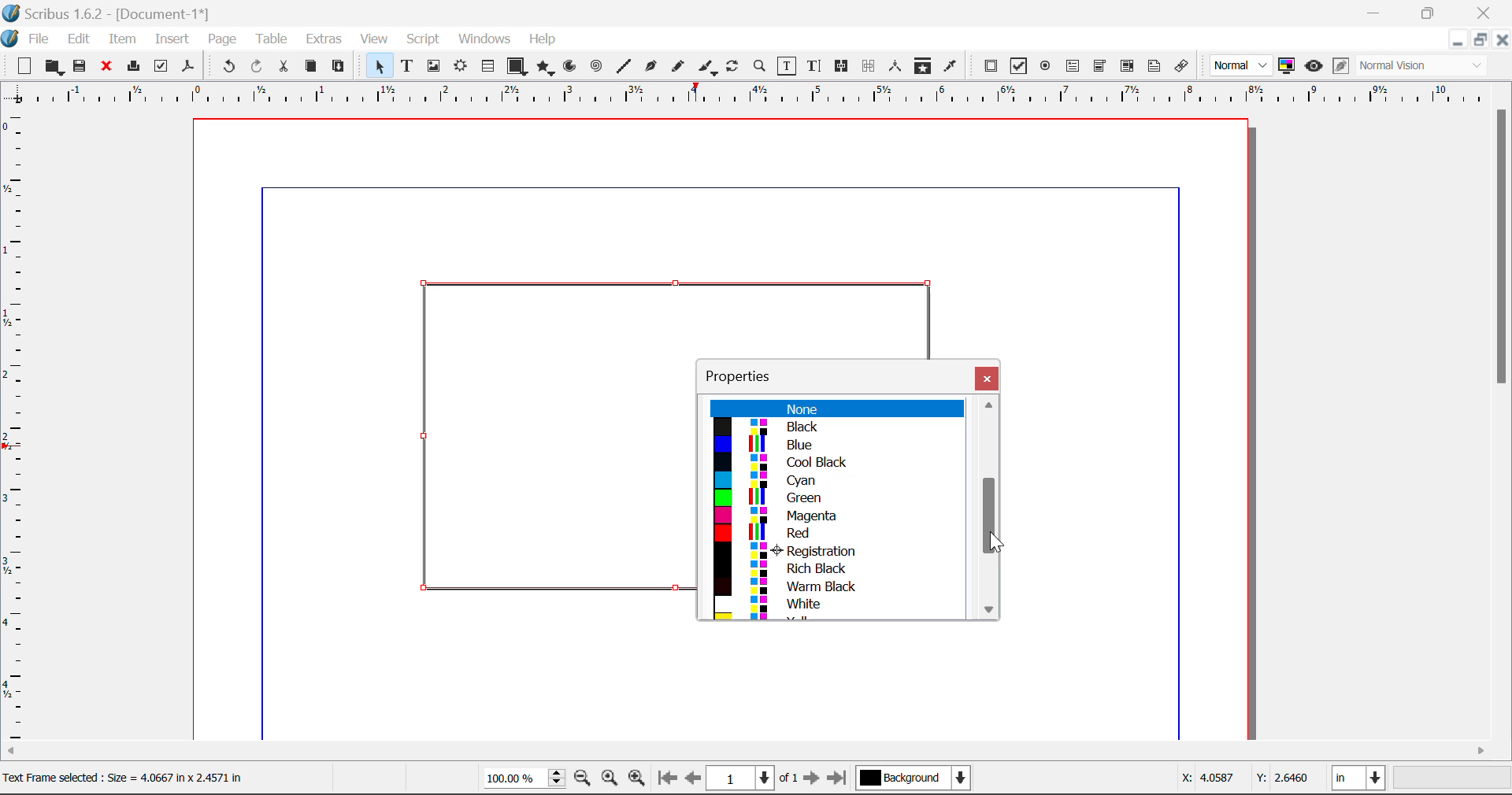 The image size is (1512, 795). I want to click on Properties, so click(748, 374).